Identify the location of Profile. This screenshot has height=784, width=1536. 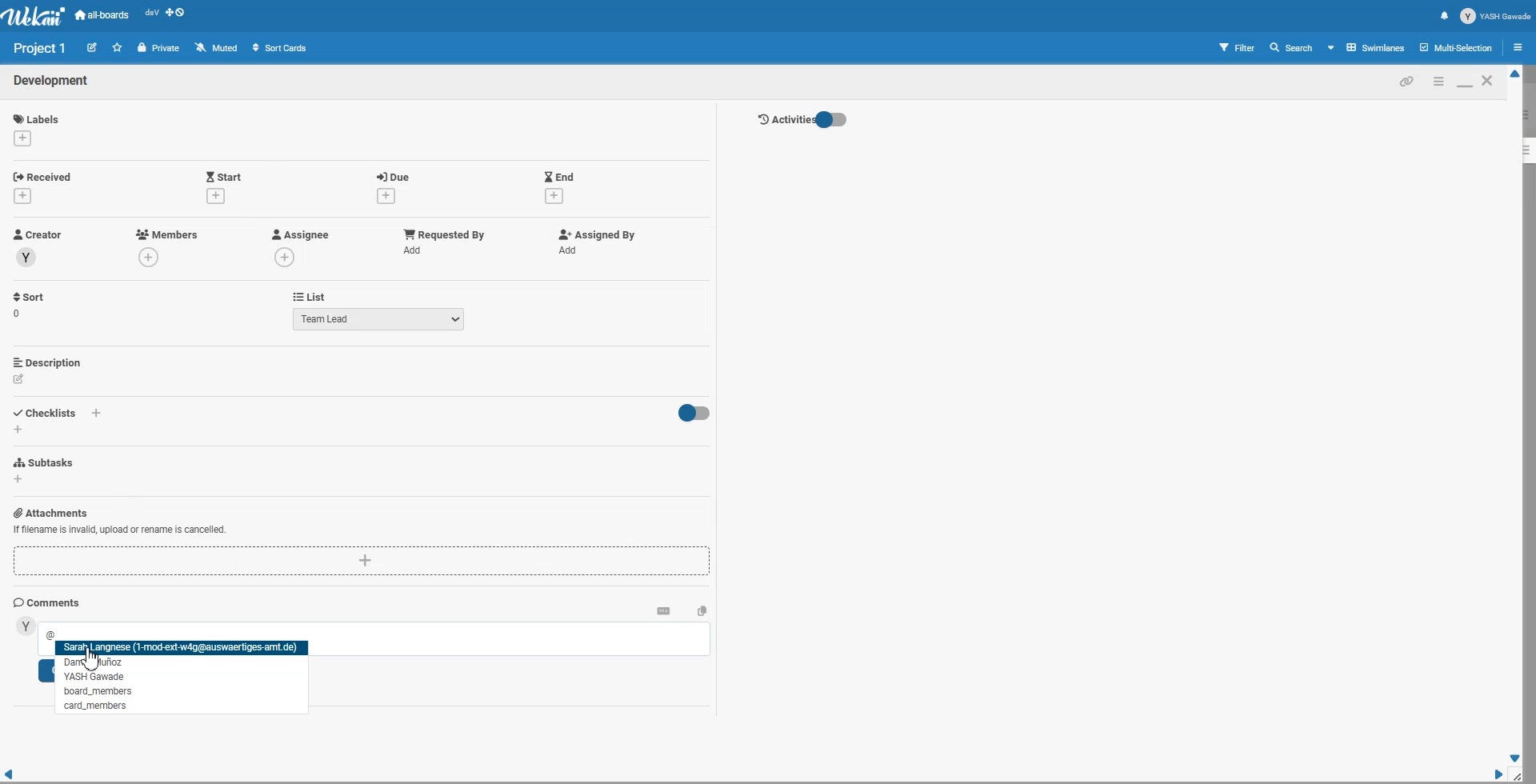
(1496, 16).